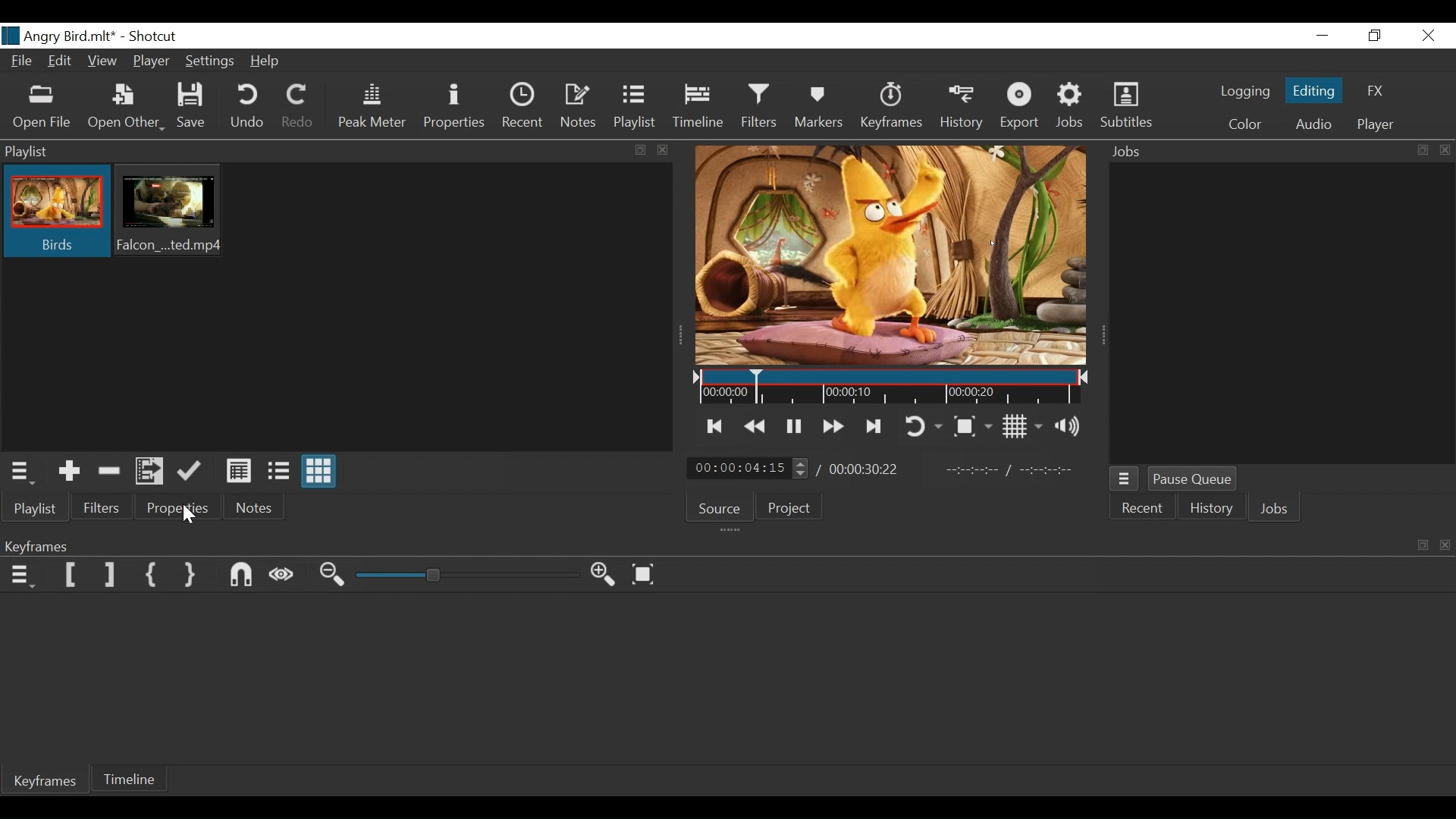 The image size is (1456, 819). I want to click on Add the Source to the playlist, so click(69, 470).